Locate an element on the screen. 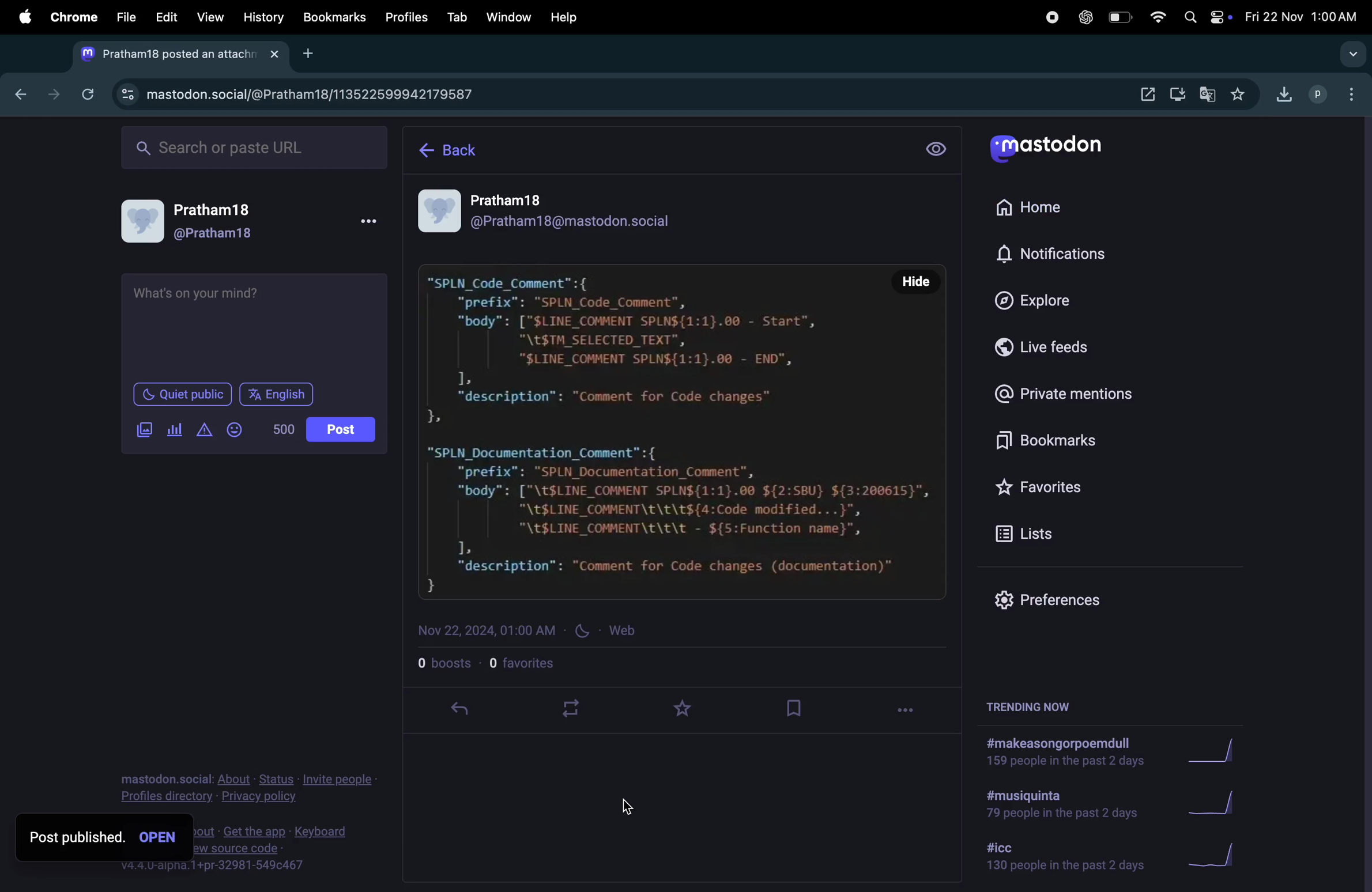  view site information is located at coordinates (126, 96).